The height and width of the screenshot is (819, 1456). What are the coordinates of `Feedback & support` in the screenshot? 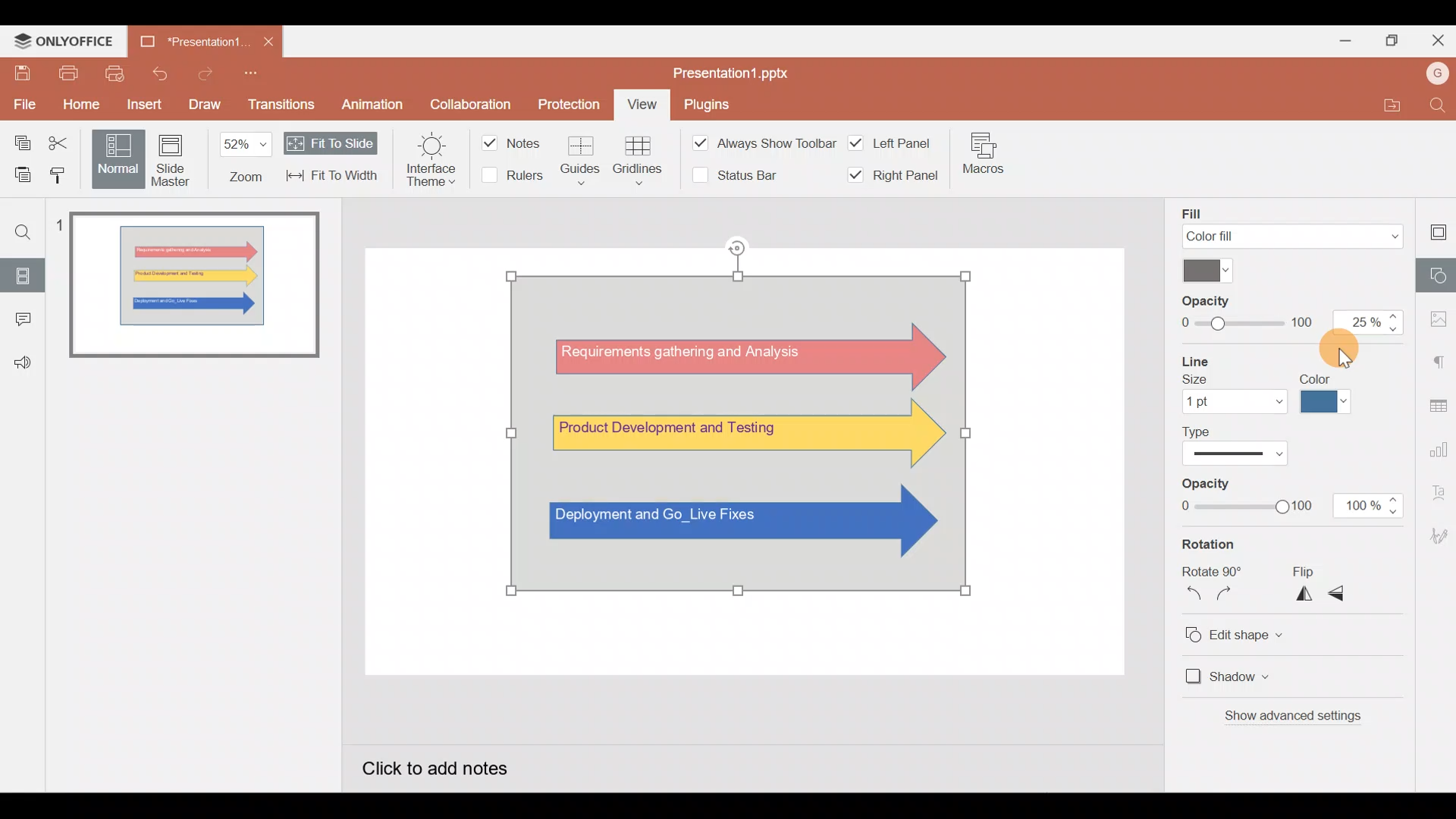 It's located at (24, 357).